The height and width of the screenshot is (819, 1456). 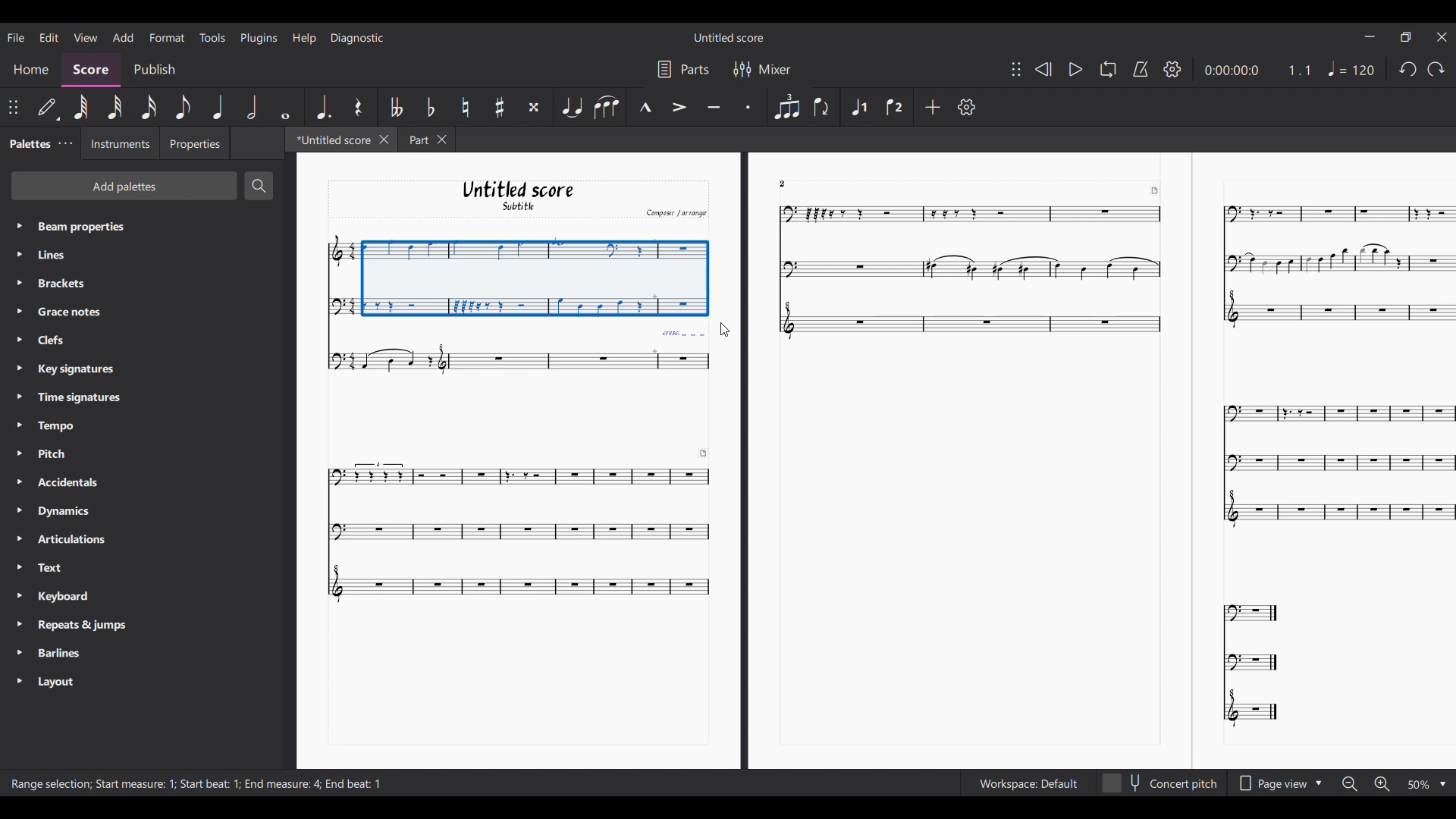 What do you see at coordinates (168, 37) in the screenshot?
I see `Format` at bounding box center [168, 37].